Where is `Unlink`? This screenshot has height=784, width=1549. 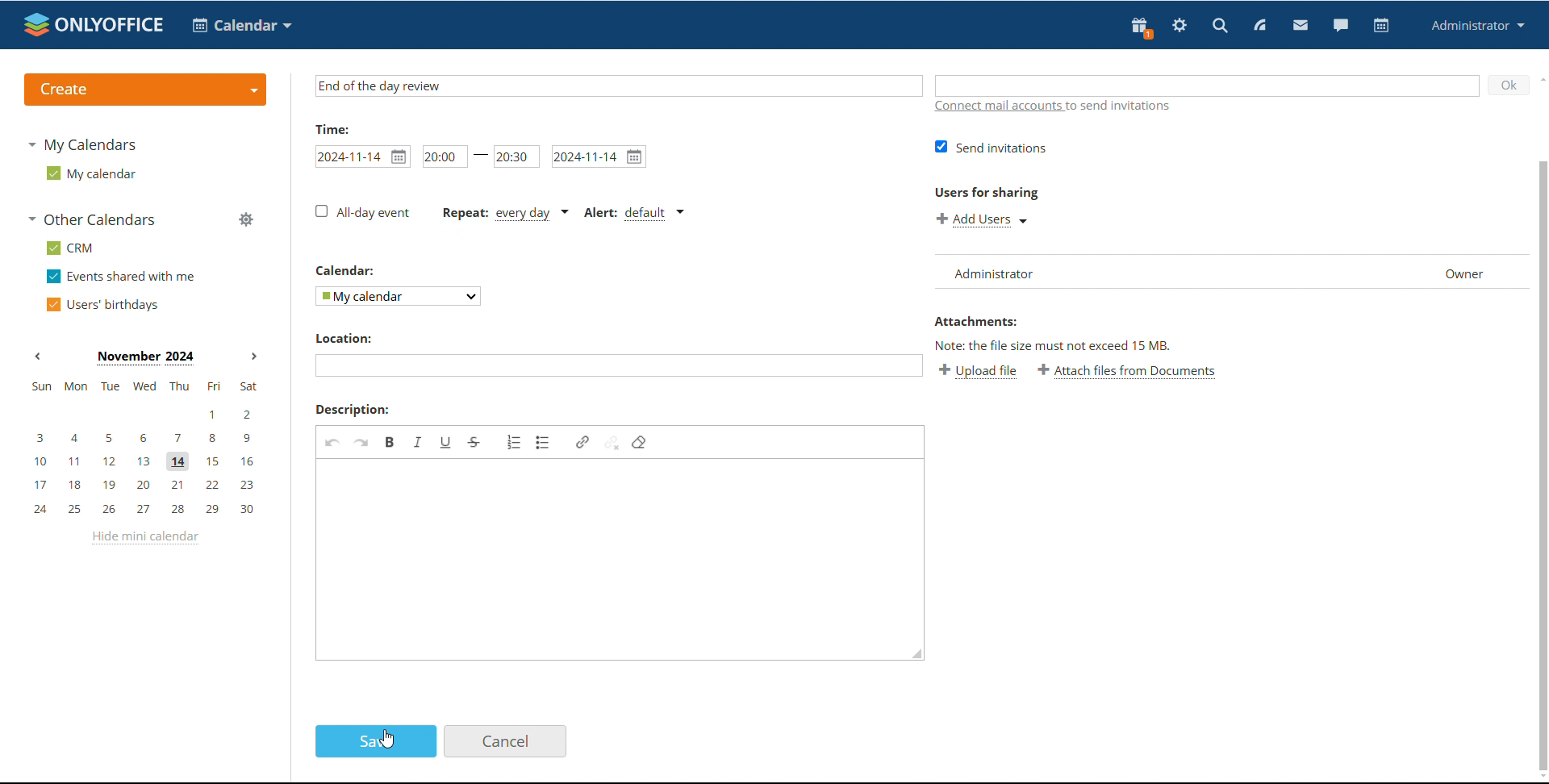 Unlink is located at coordinates (612, 443).